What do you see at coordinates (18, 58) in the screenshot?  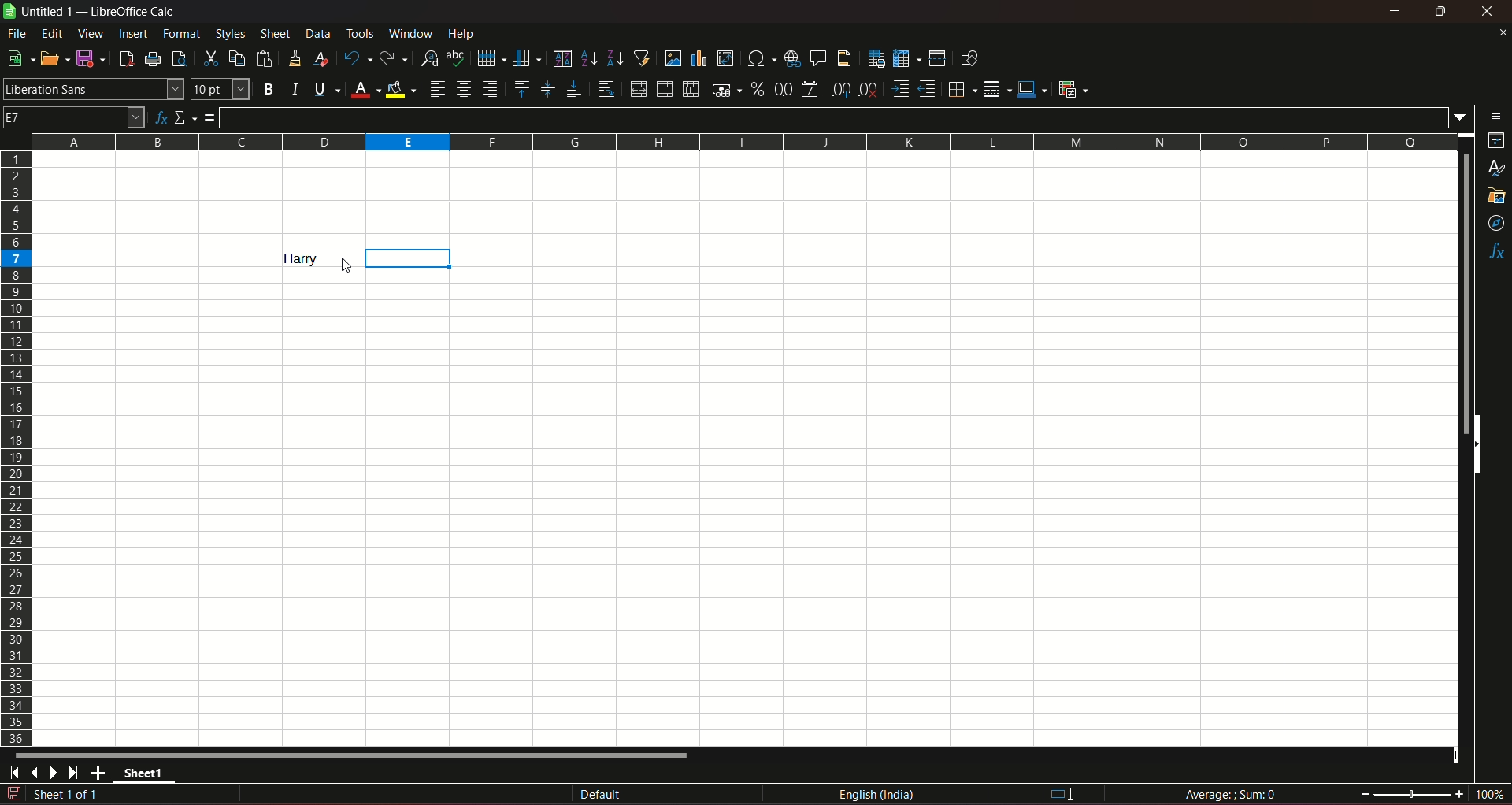 I see `new` at bounding box center [18, 58].